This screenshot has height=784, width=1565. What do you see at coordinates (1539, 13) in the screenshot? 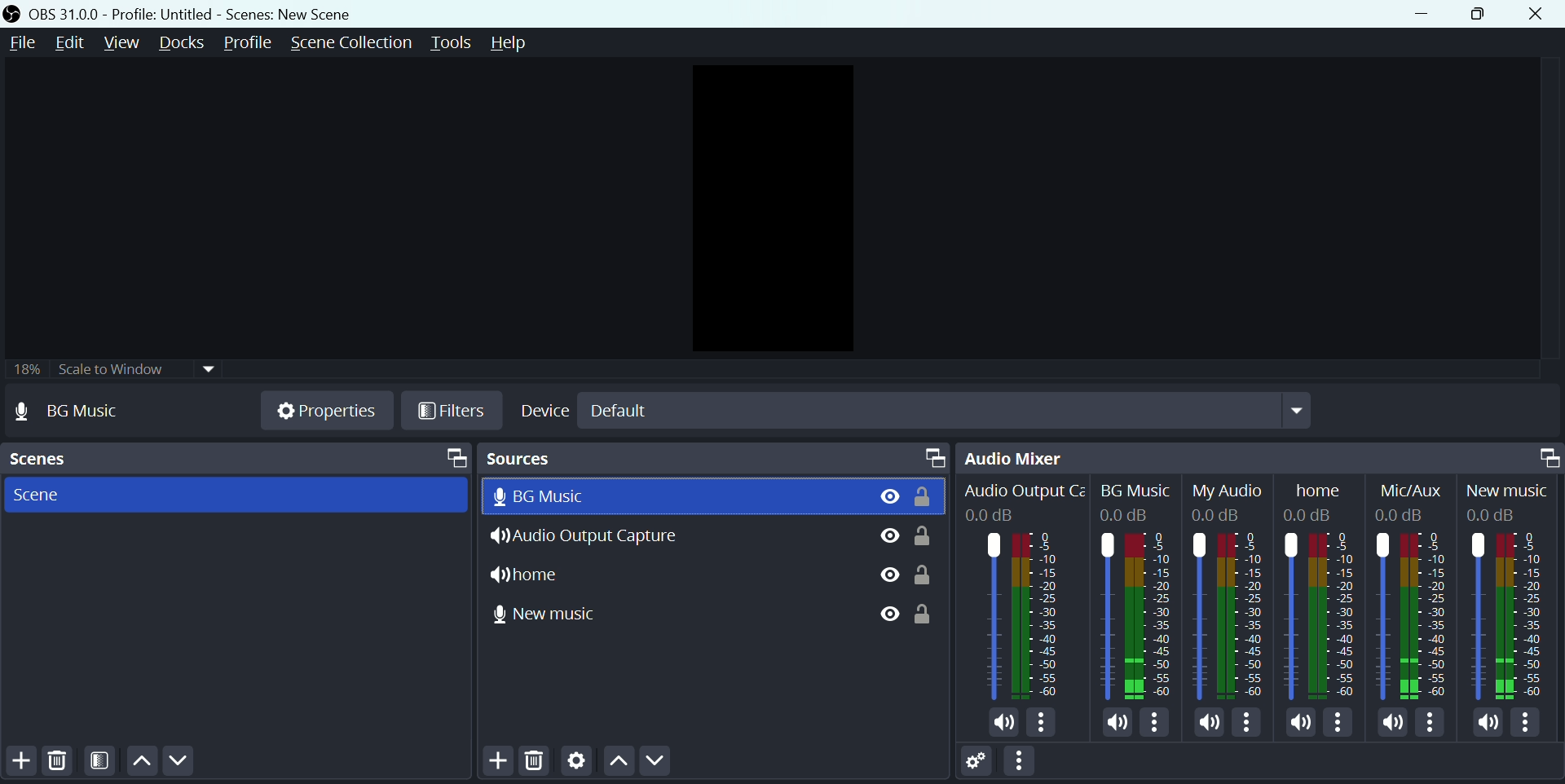
I see `close` at bounding box center [1539, 13].